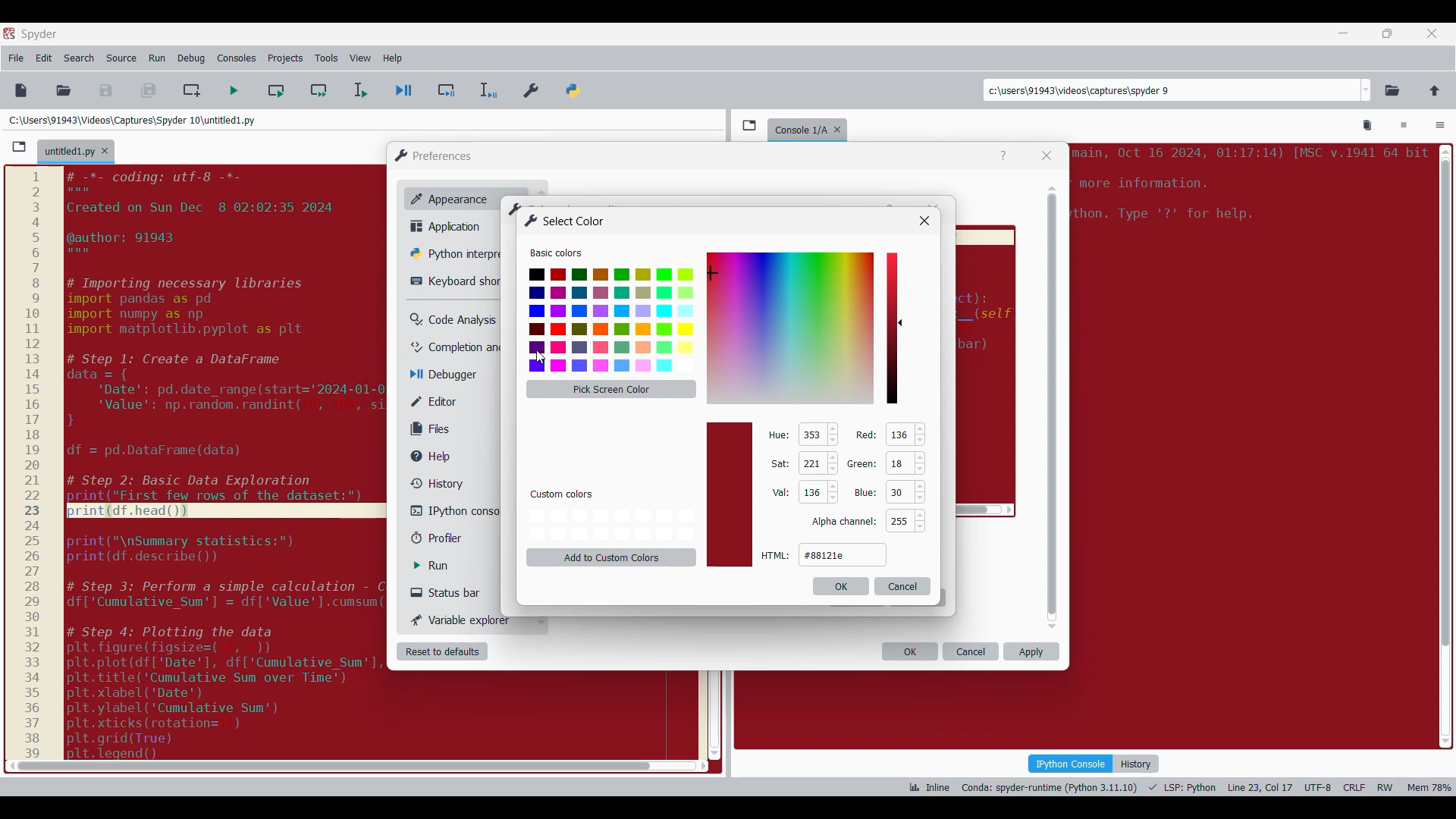 The image size is (1456, 819). I want to click on View menu, so click(360, 58).